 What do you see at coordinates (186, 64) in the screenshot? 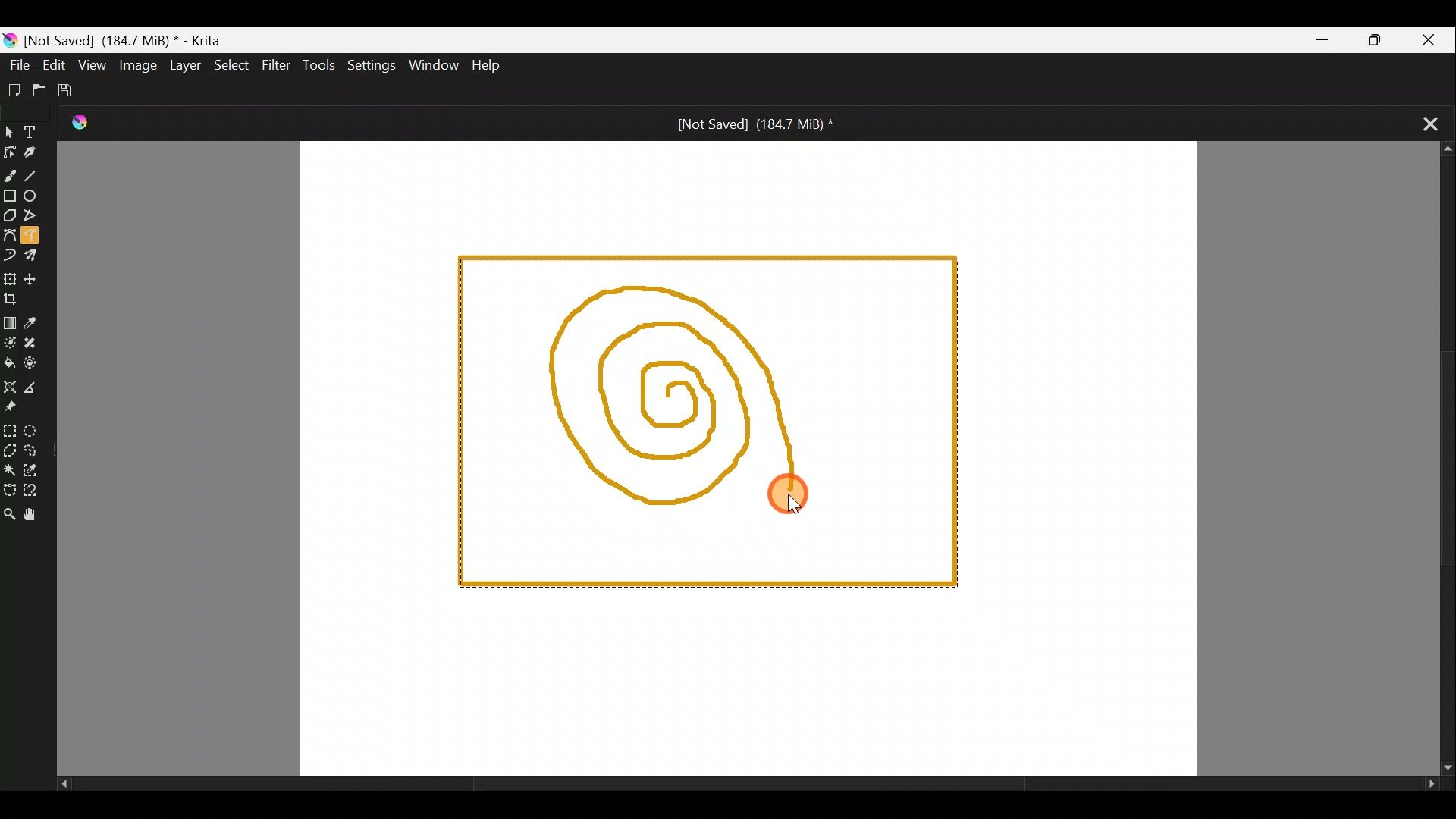
I see `Layer` at bounding box center [186, 64].